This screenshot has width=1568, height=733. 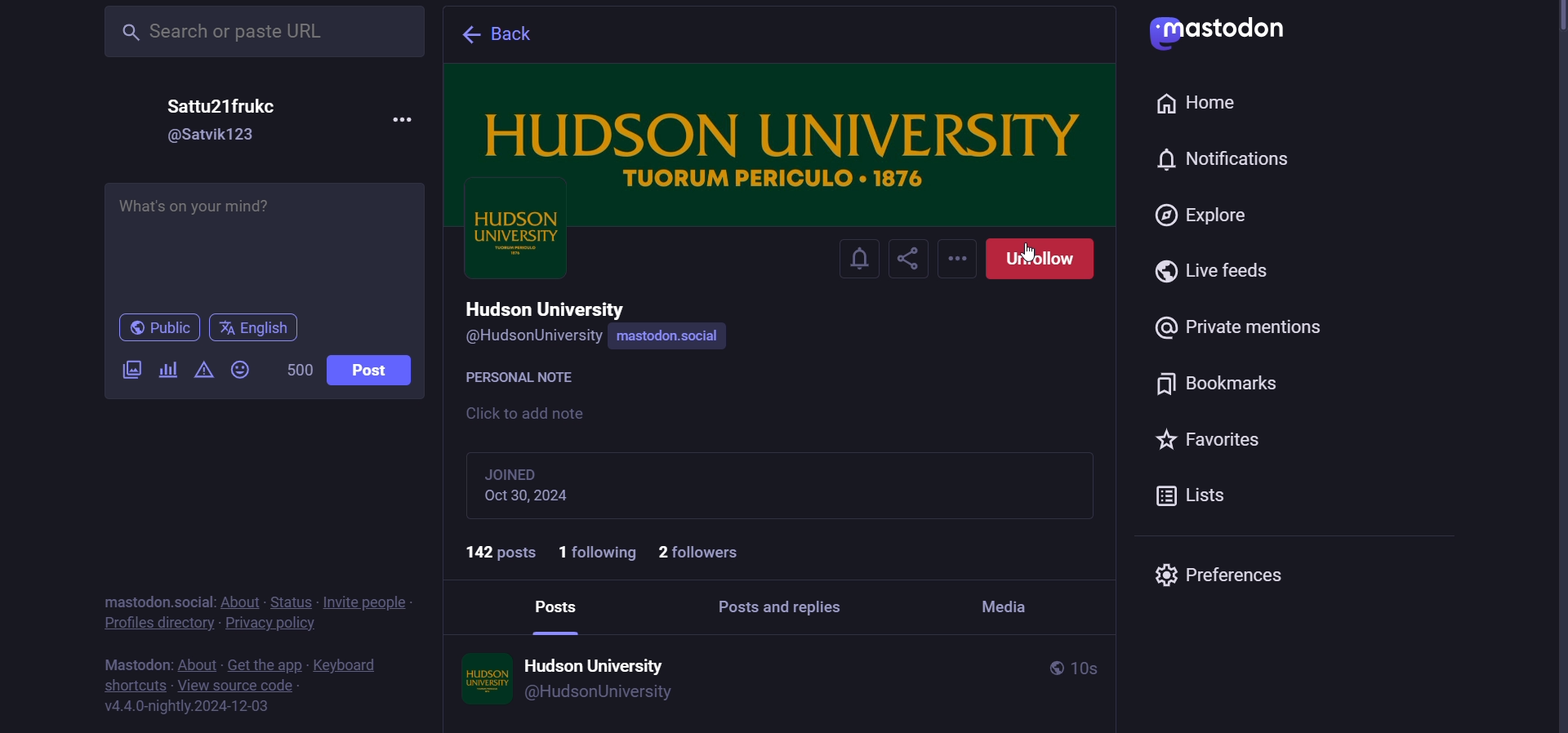 I want to click on posts, so click(x=559, y=604).